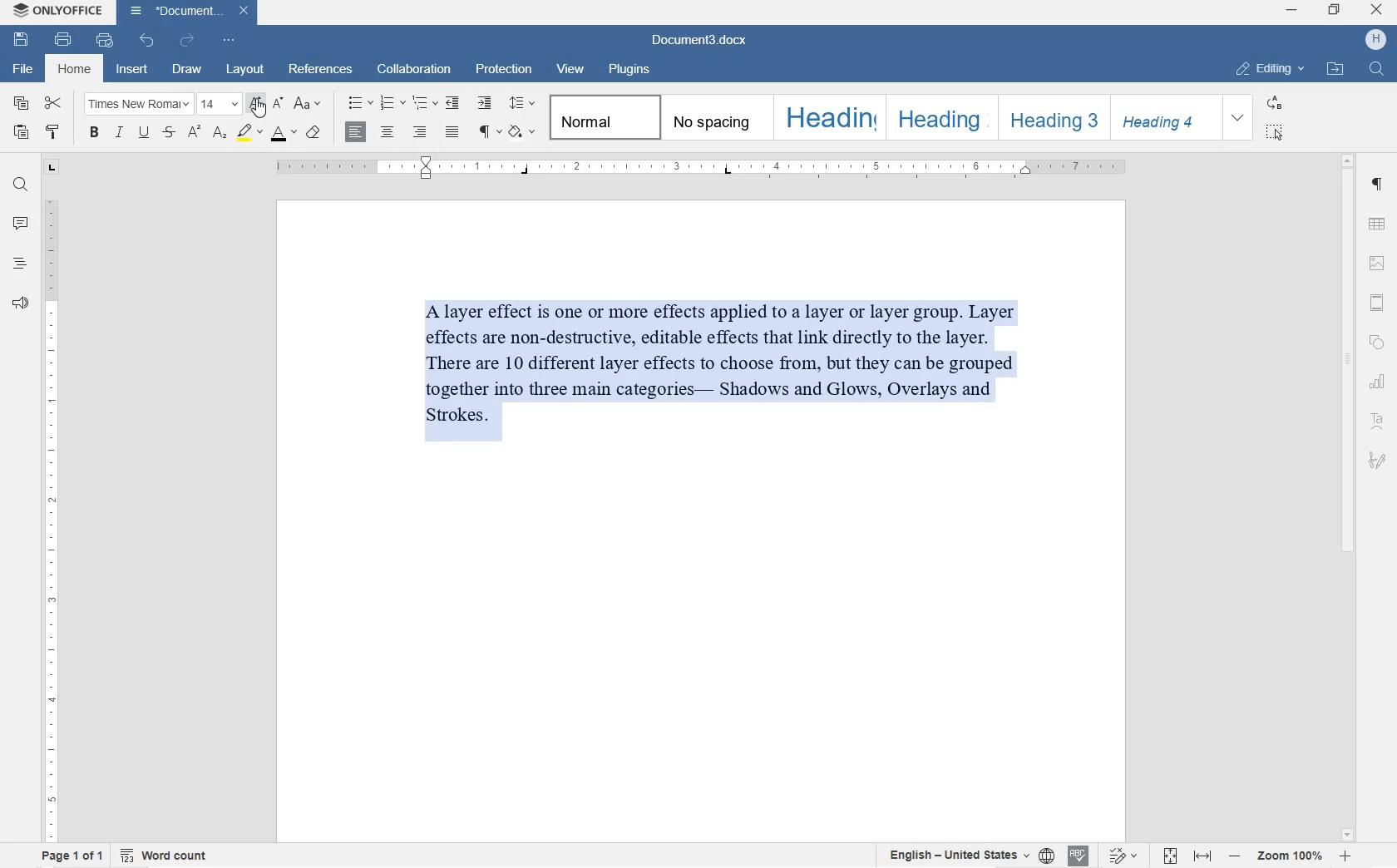 The height and width of the screenshot is (868, 1397). What do you see at coordinates (453, 105) in the screenshot?
I see `DECREASE INDENT` at bounding box center [453, 105].